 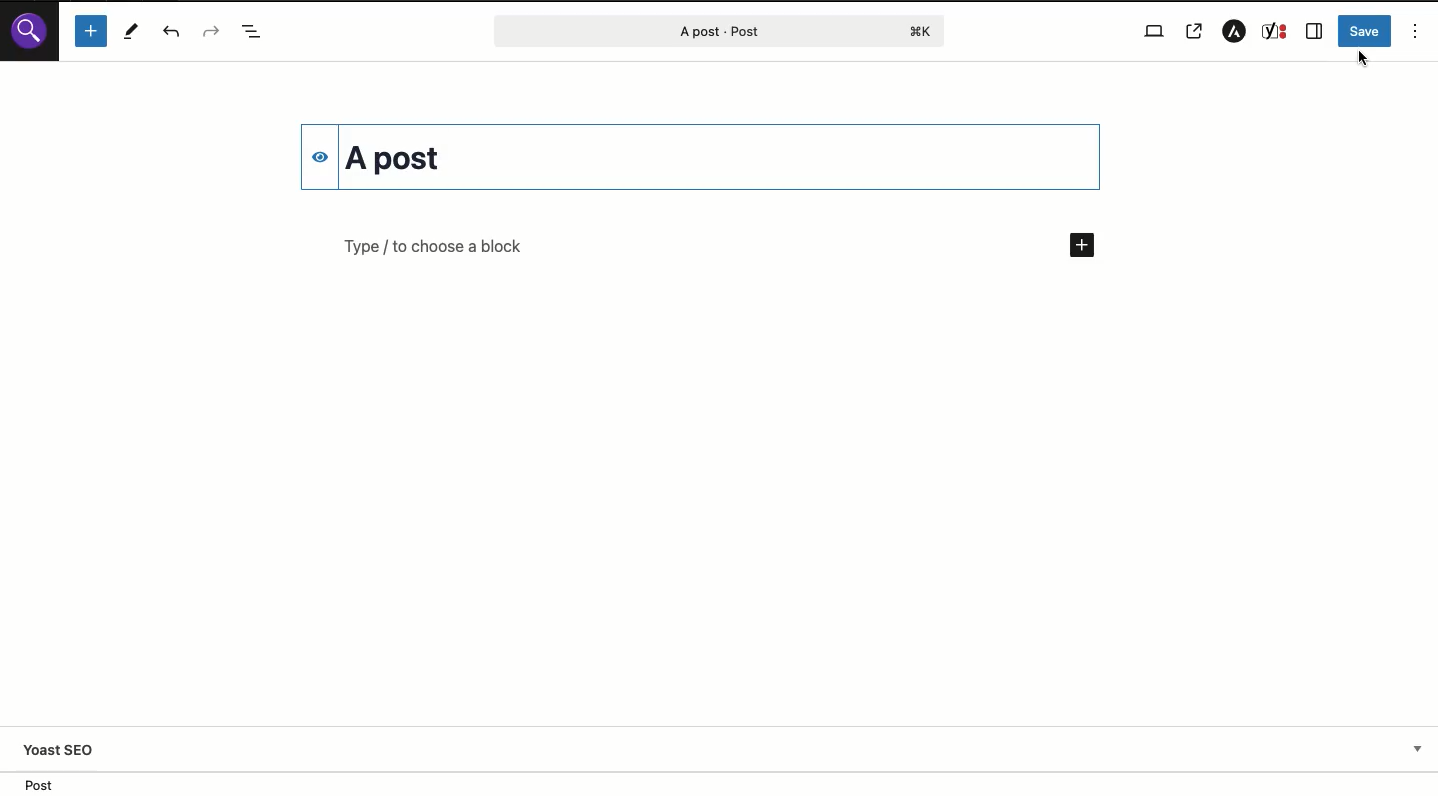 What do you see at coordinates (90, 31) in the screenshot?
I see `Add block` at bounding box center [90, 31].